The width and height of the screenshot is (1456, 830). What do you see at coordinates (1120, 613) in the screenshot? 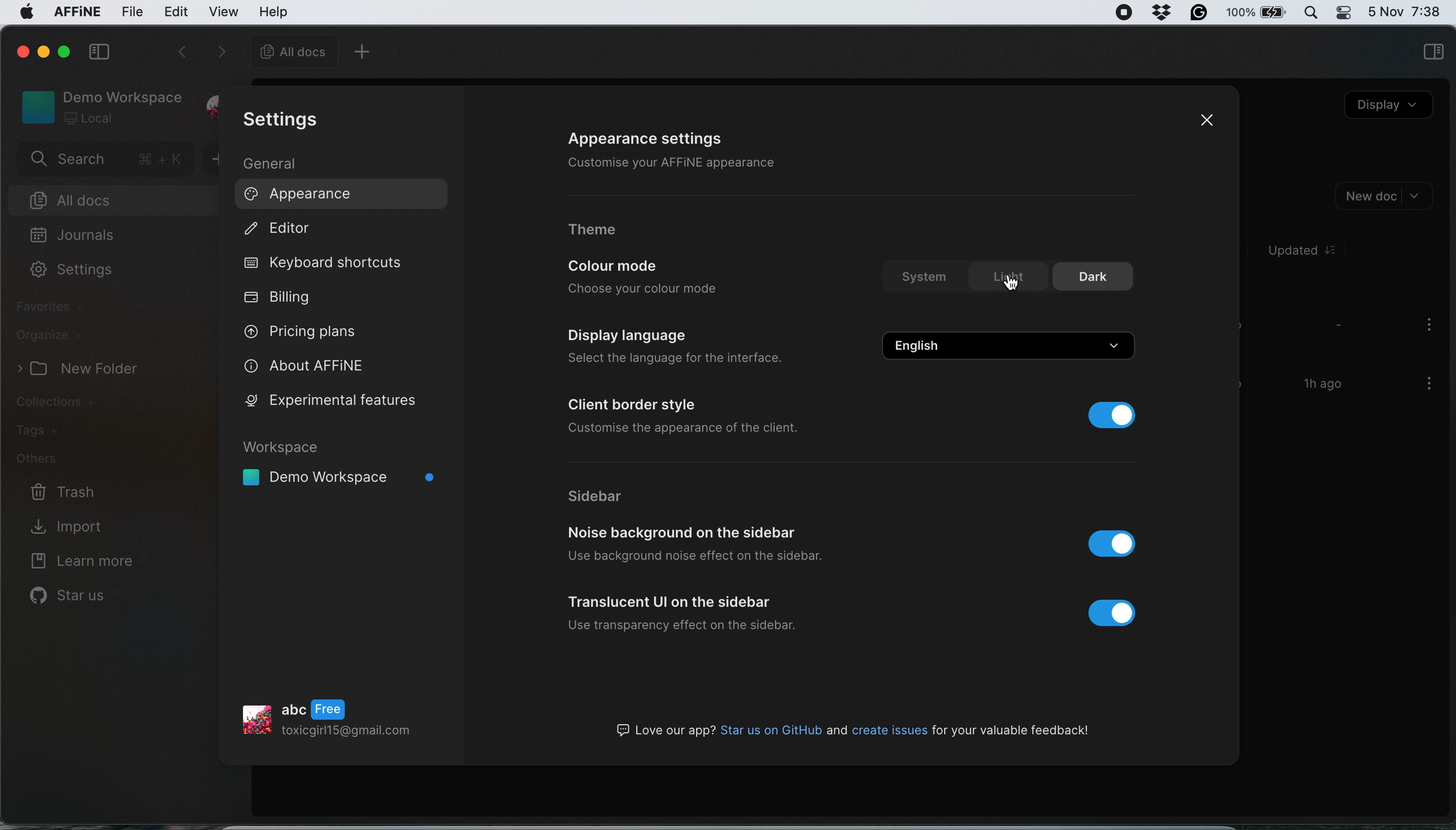
I see `toggle button` at bounding box center [1120, 613].